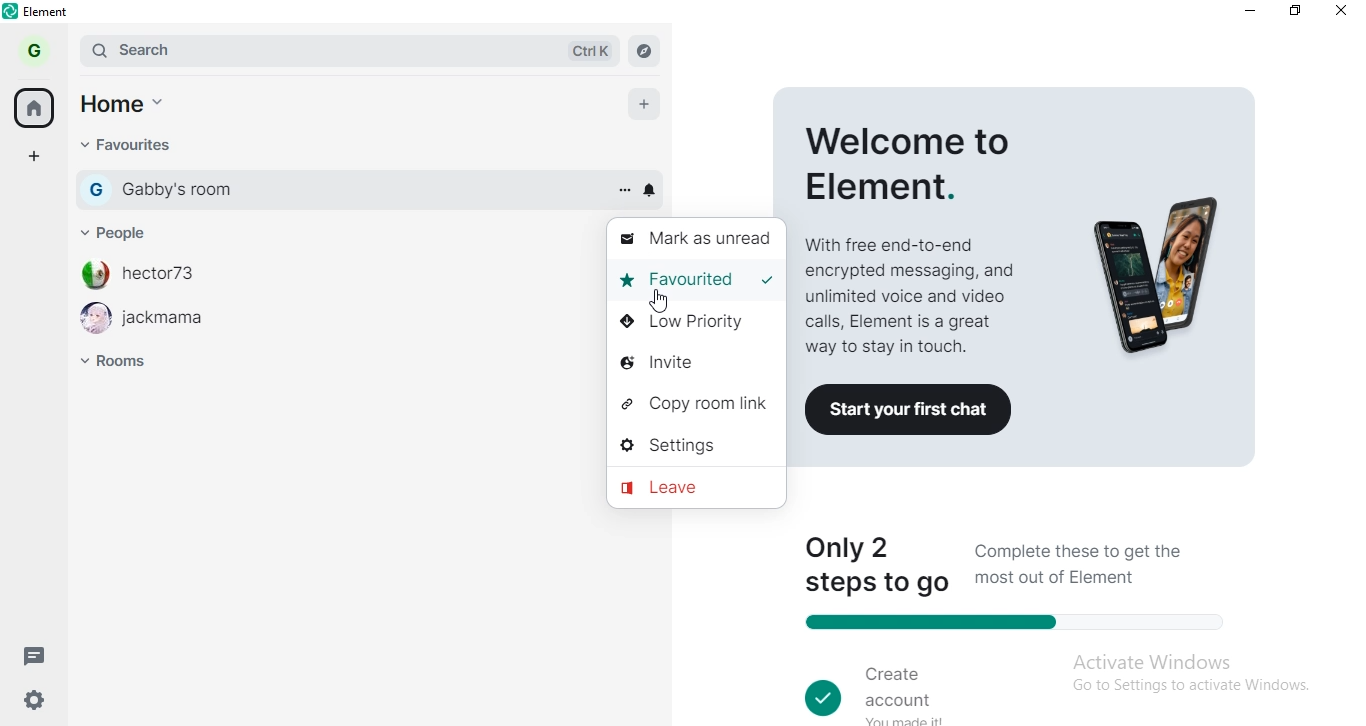  Describe the element at coordinates (1159, 277) in the screenshot. I see `image` at that location.